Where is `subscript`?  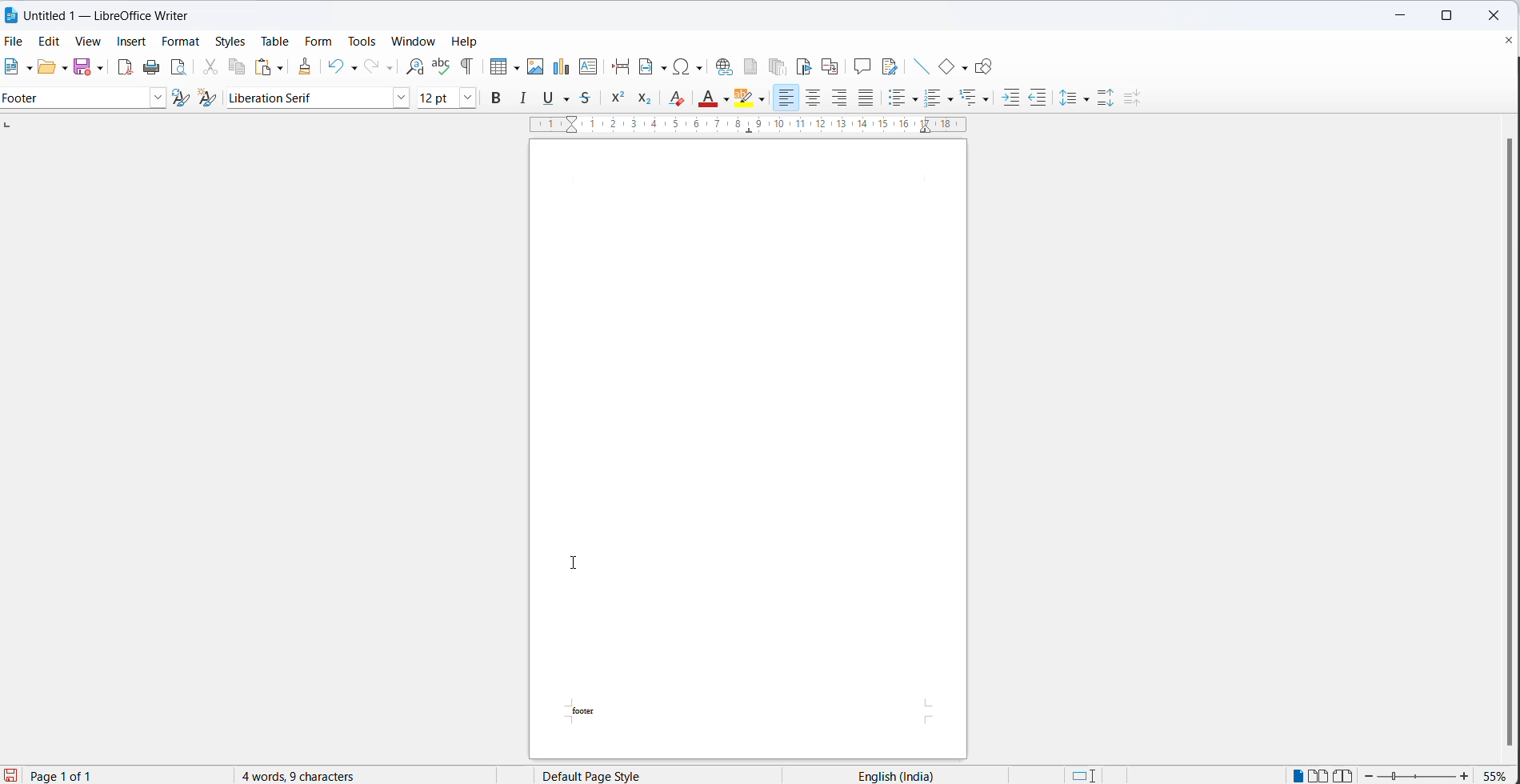 subscript is located at coordinates (645, 98).